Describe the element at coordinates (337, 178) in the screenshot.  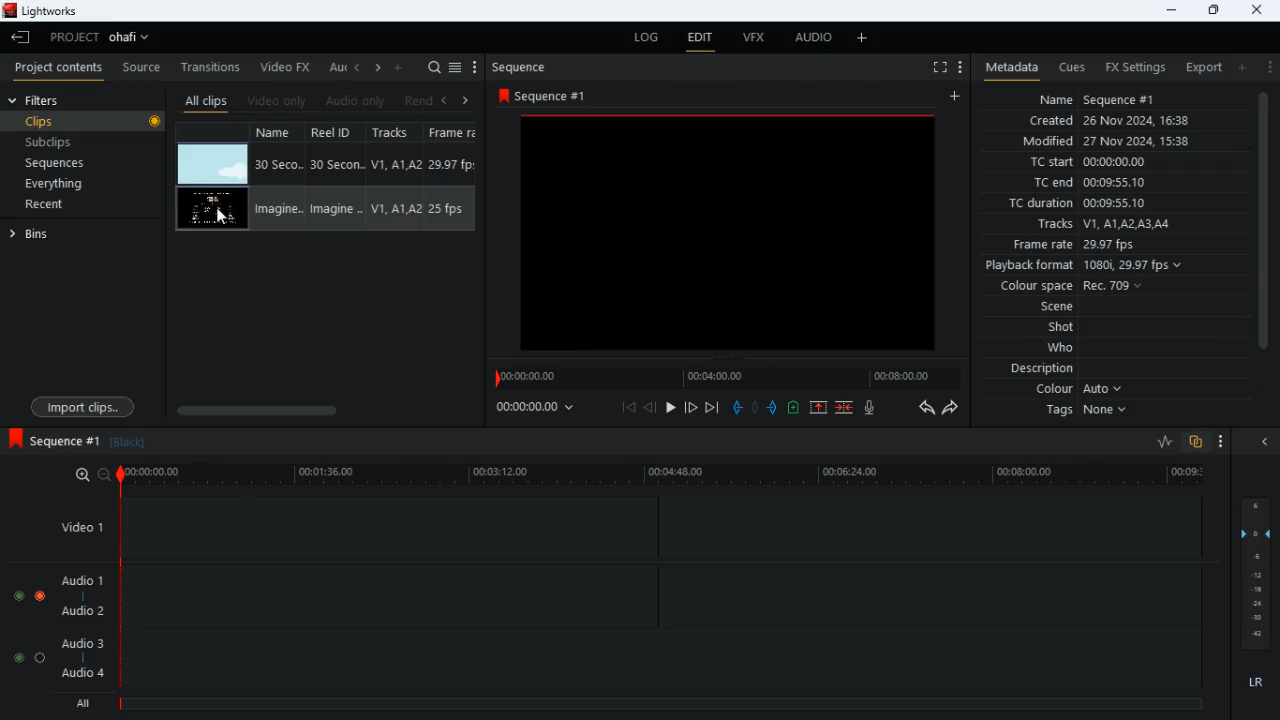
I see `reel id` at that location.